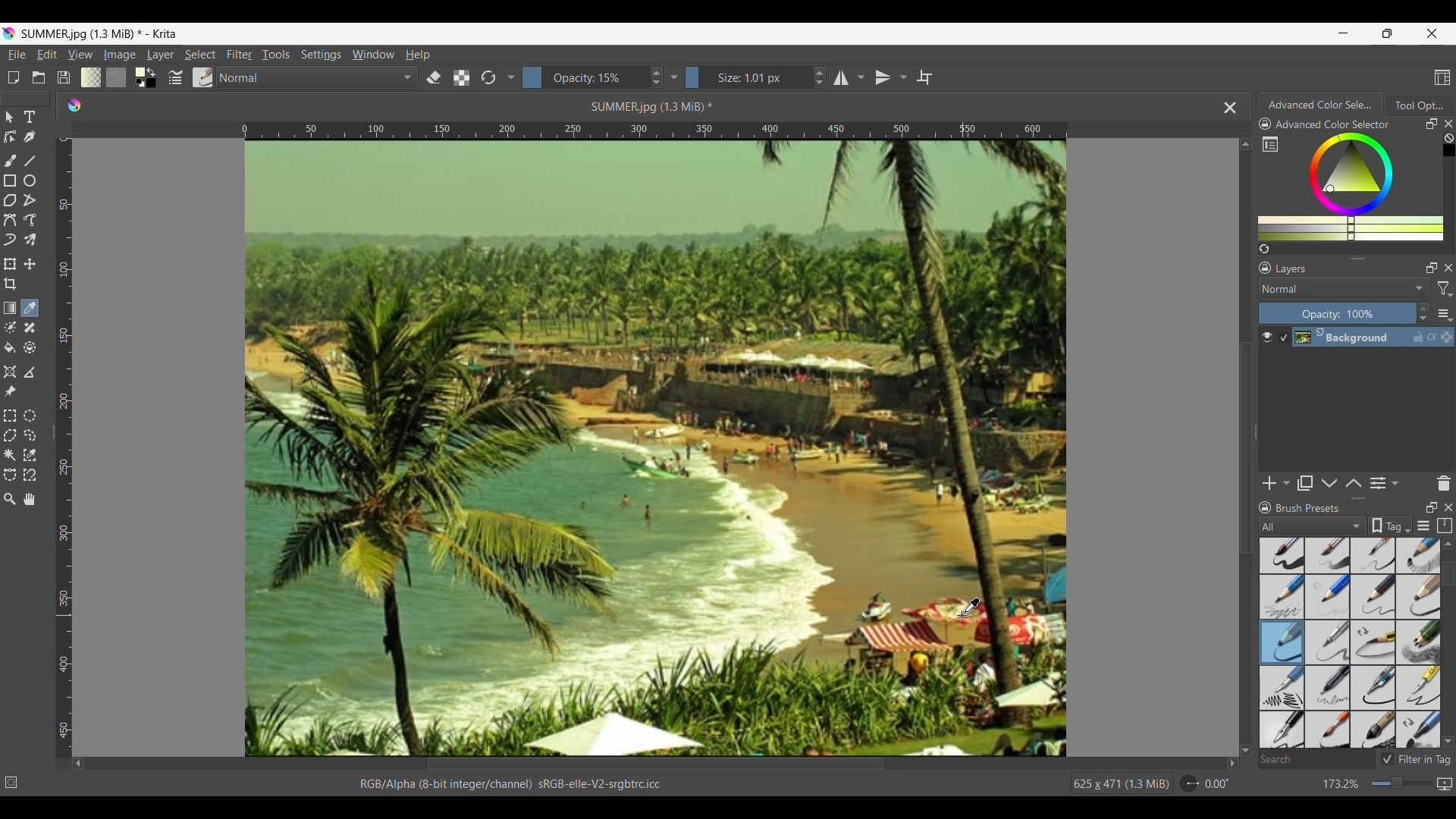  I want to click on Tools menu, so click(275, 54).